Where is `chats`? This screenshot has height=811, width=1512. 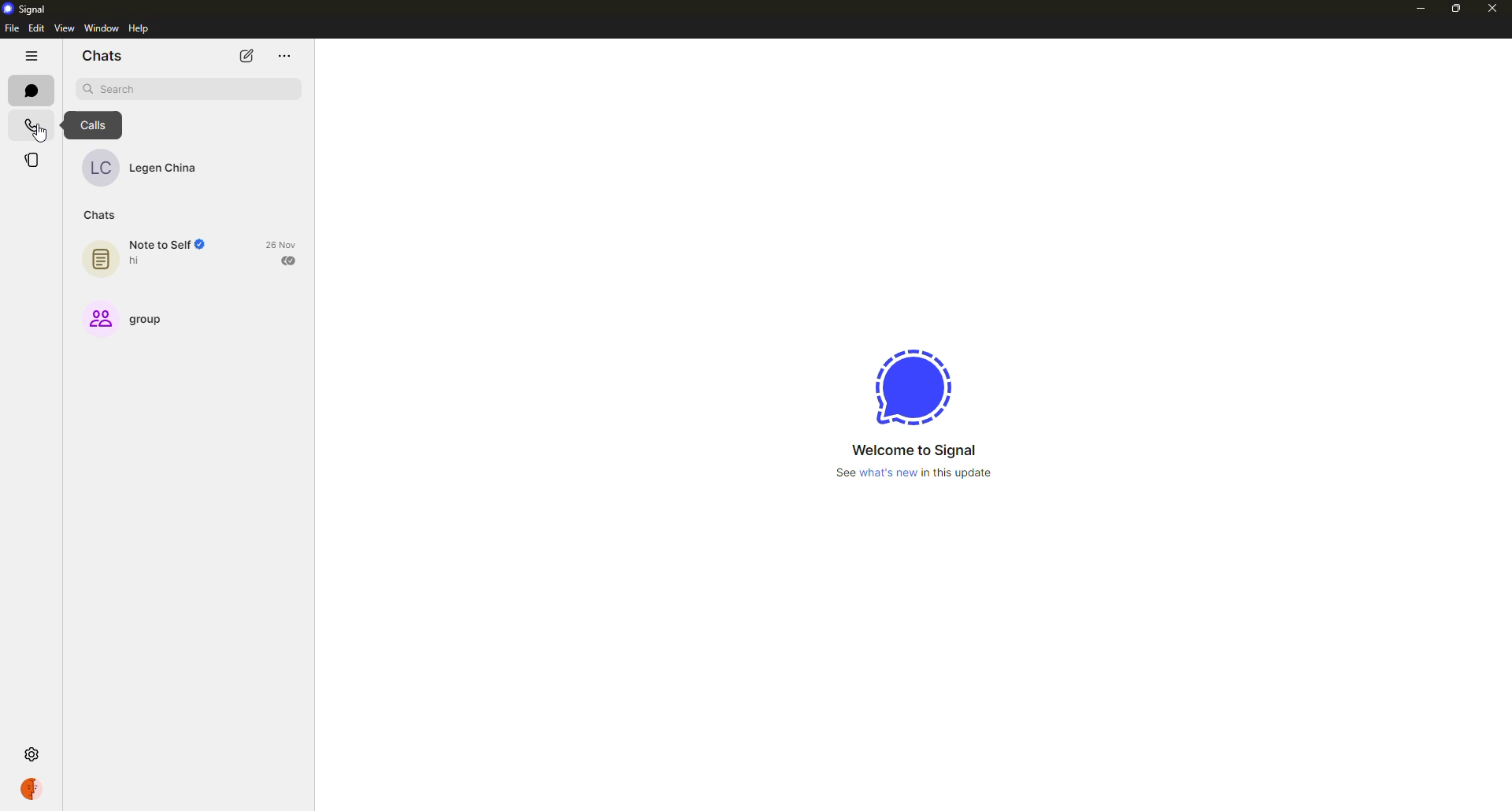
chats is located at coordinates (31, 91).